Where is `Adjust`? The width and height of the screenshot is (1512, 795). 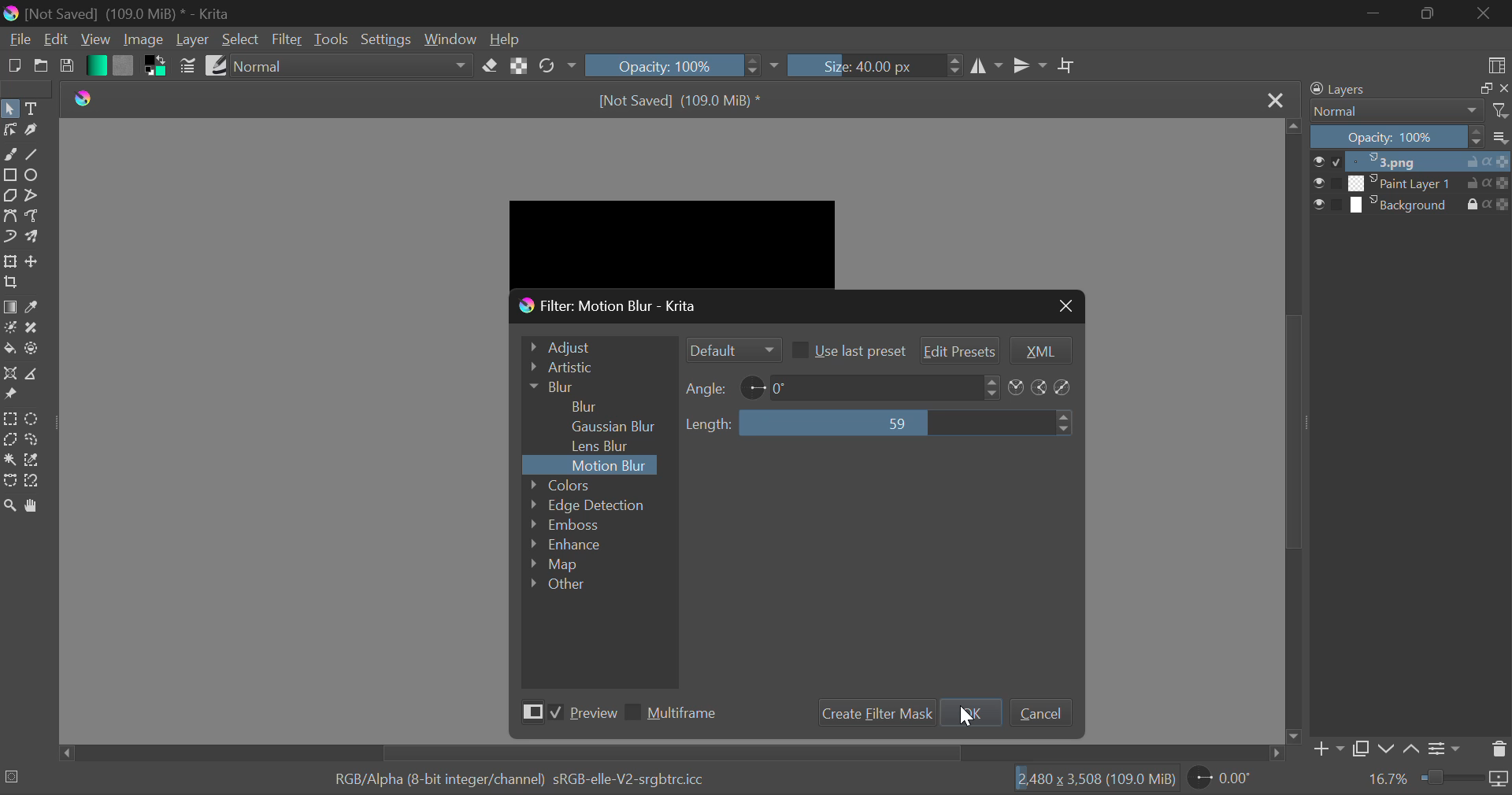 Adjust is located at coordinates (596, 345).